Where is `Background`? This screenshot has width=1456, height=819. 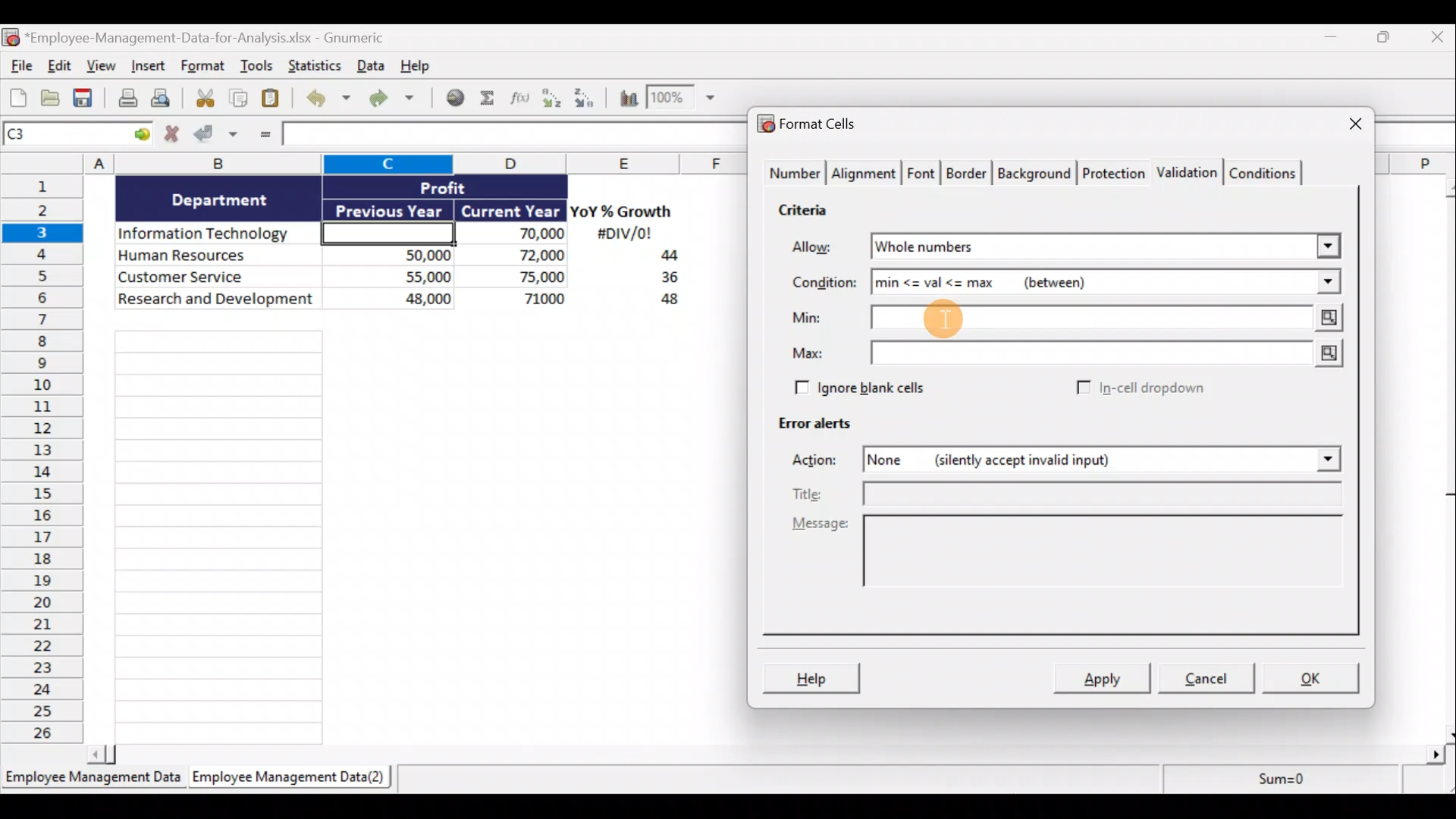
Background is located at coordinates (1038, 174).